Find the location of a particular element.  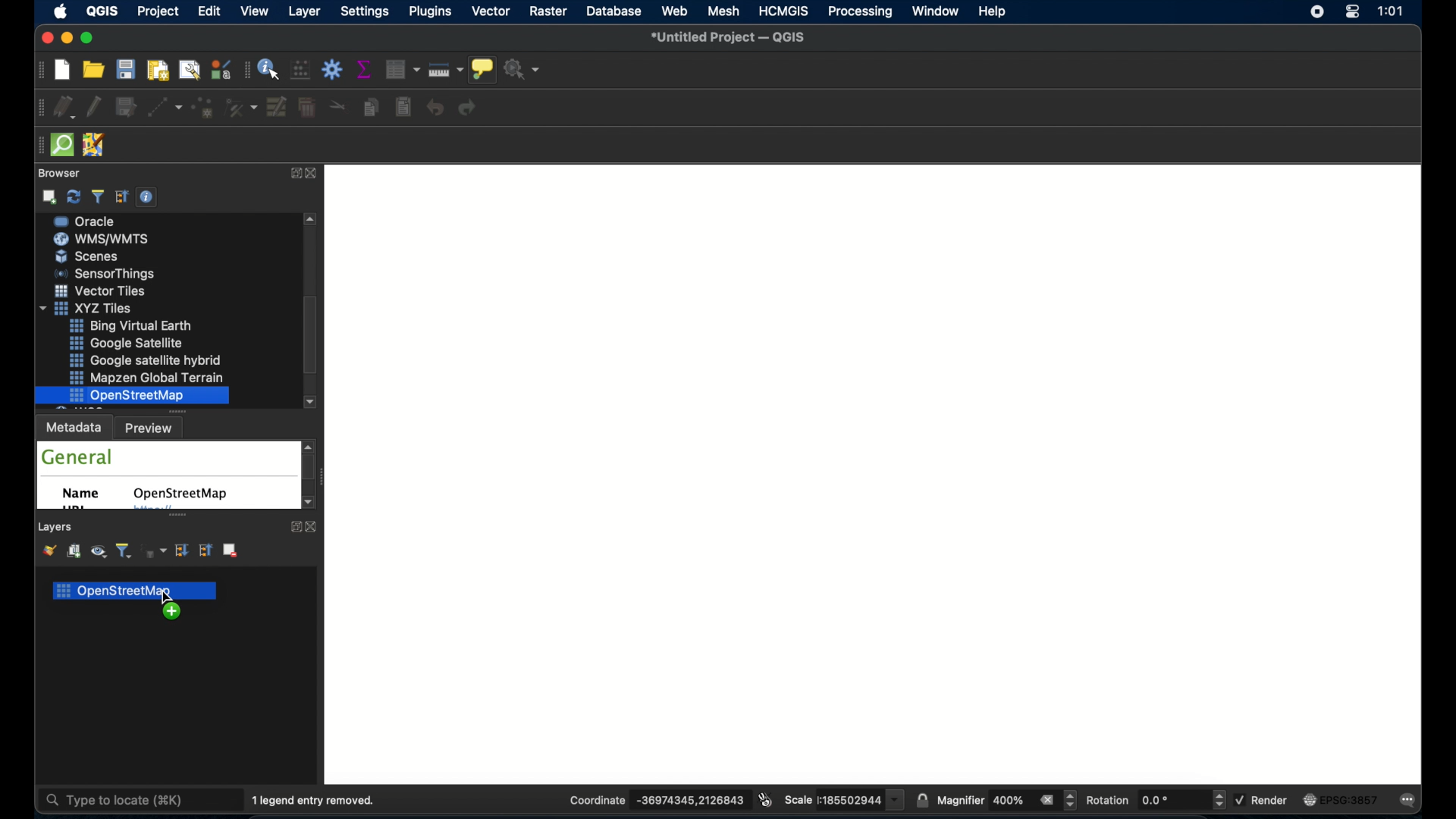

redo is located at coordinates (469, 109).